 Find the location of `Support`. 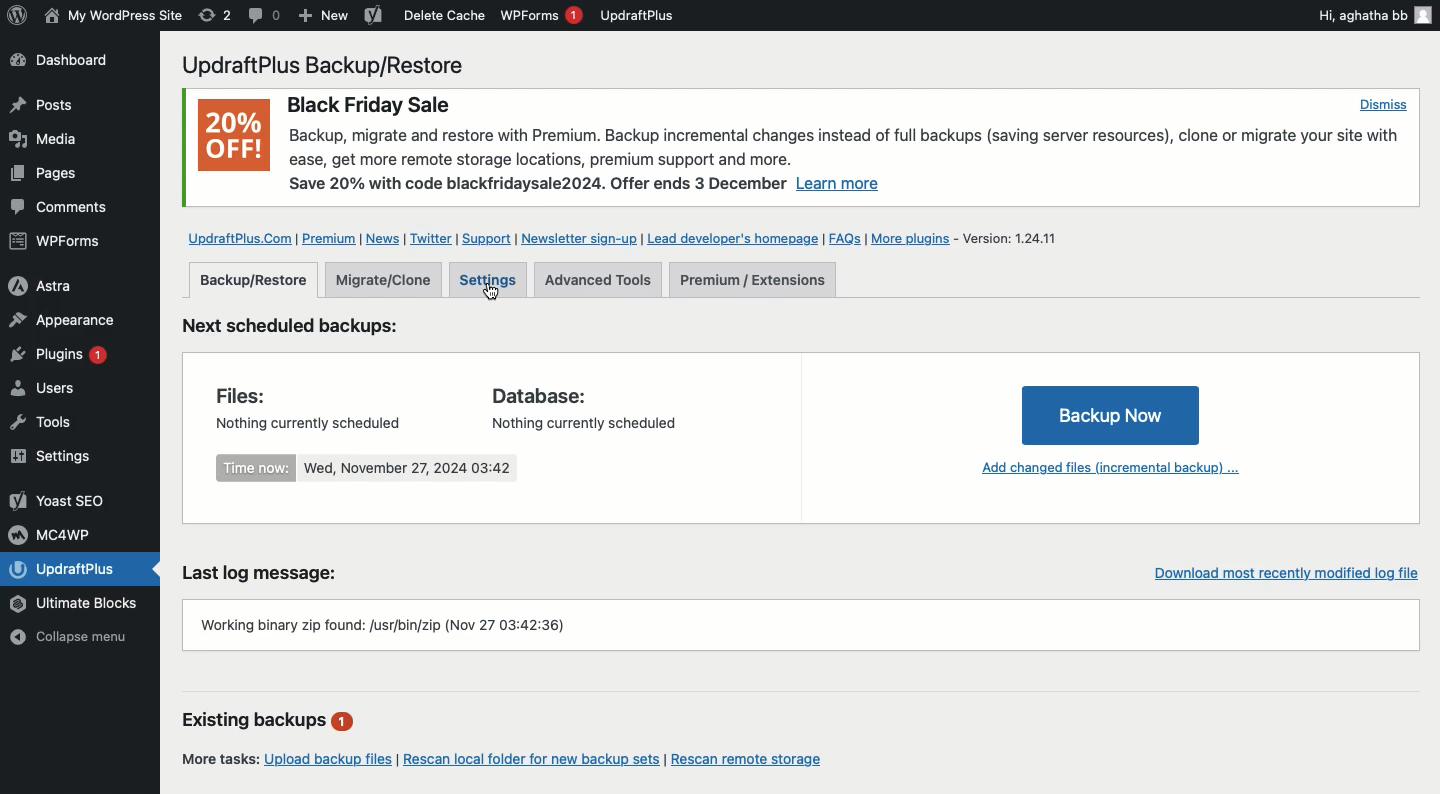

Support is located at coordinates (485, 239).